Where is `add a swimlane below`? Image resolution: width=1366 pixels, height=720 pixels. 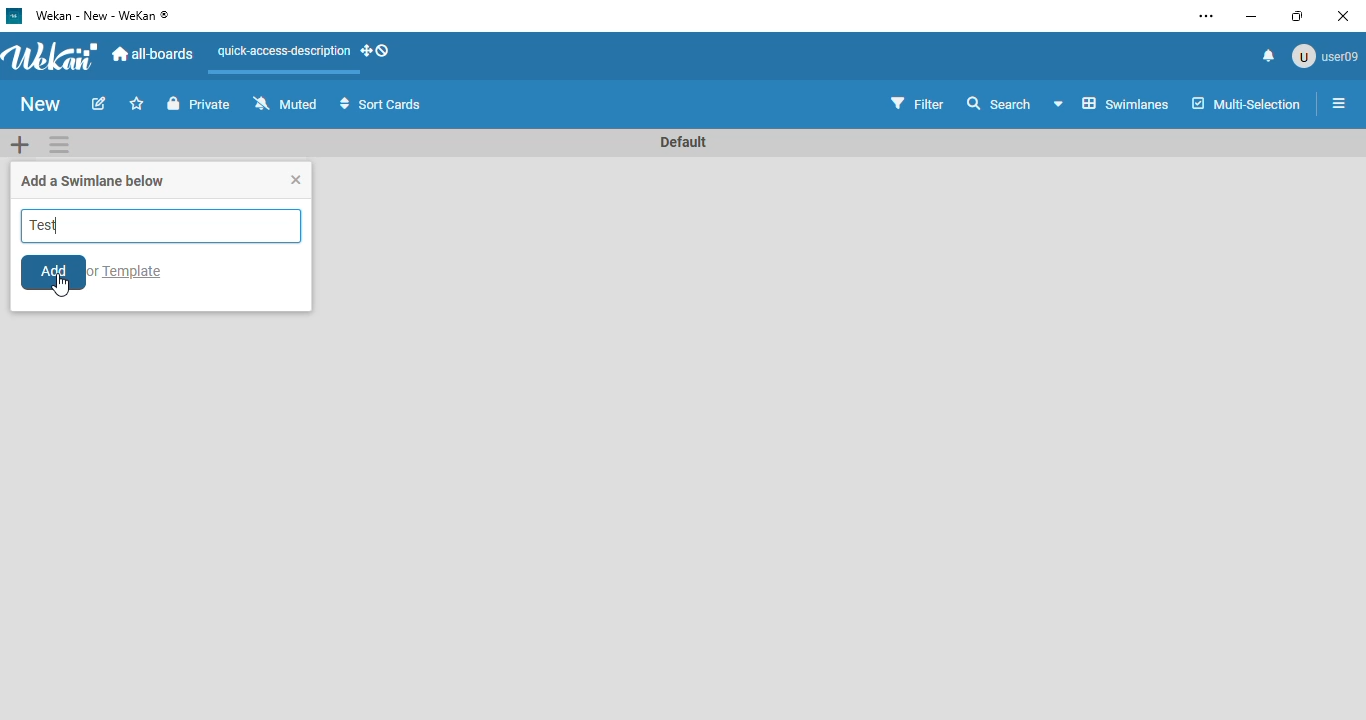 add a swimlane below is located at coordinates (95, 181).